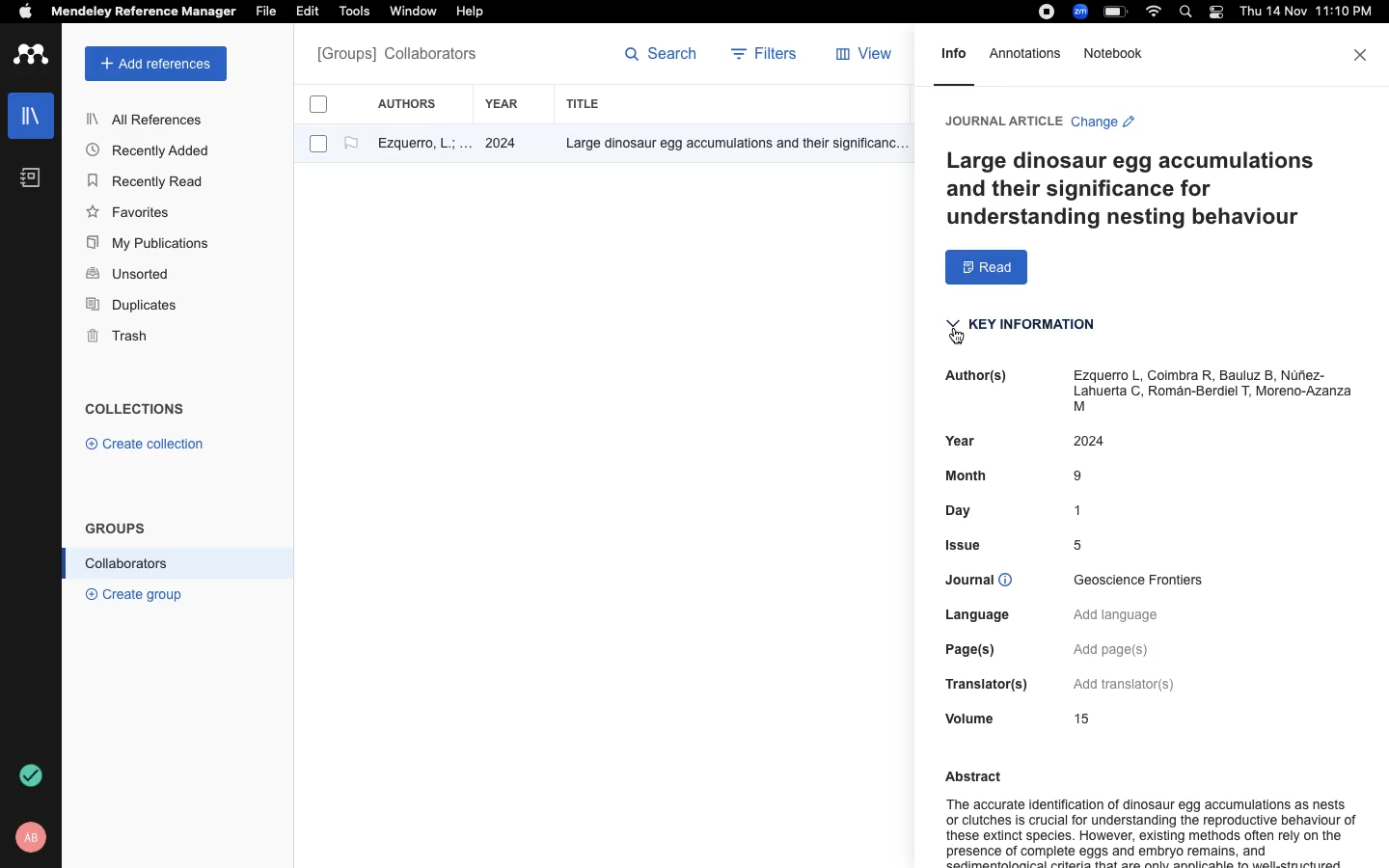  Describe the element at coordinates (971, 513) in the screenshot. I see `Day` at that location.